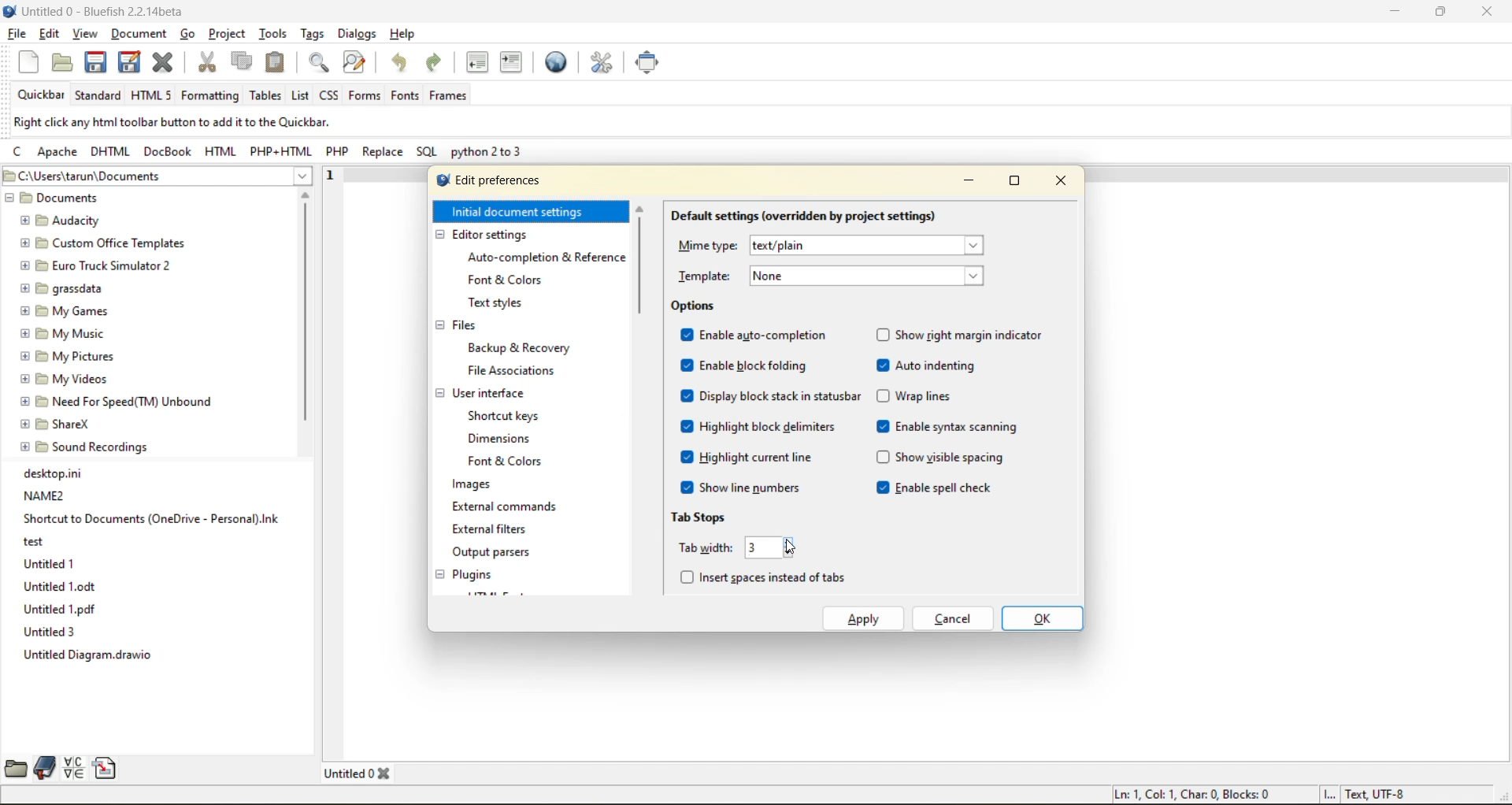 The height and width of the screenshot is (805, 1512). I want to click on enable spell check, so click(941, 489).